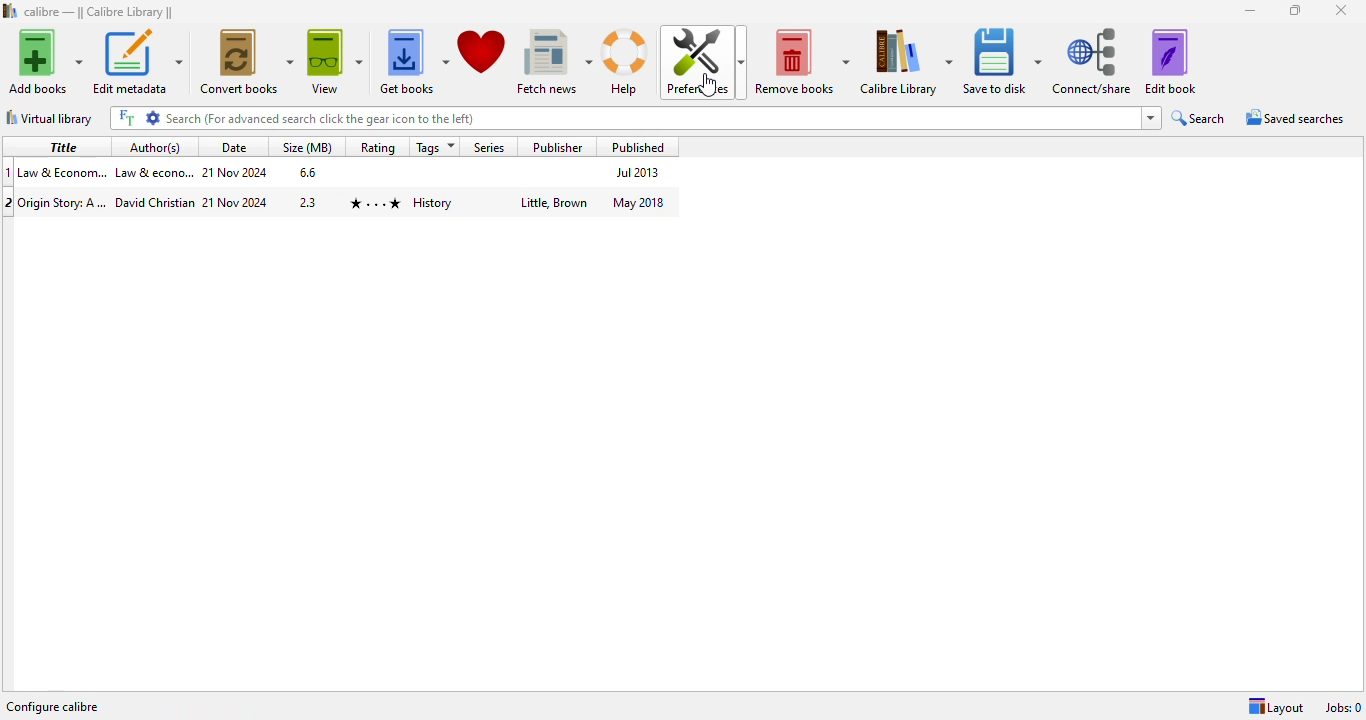 This screenshot has height=720, width=1366. I want to click on add books, so click(46, 61).